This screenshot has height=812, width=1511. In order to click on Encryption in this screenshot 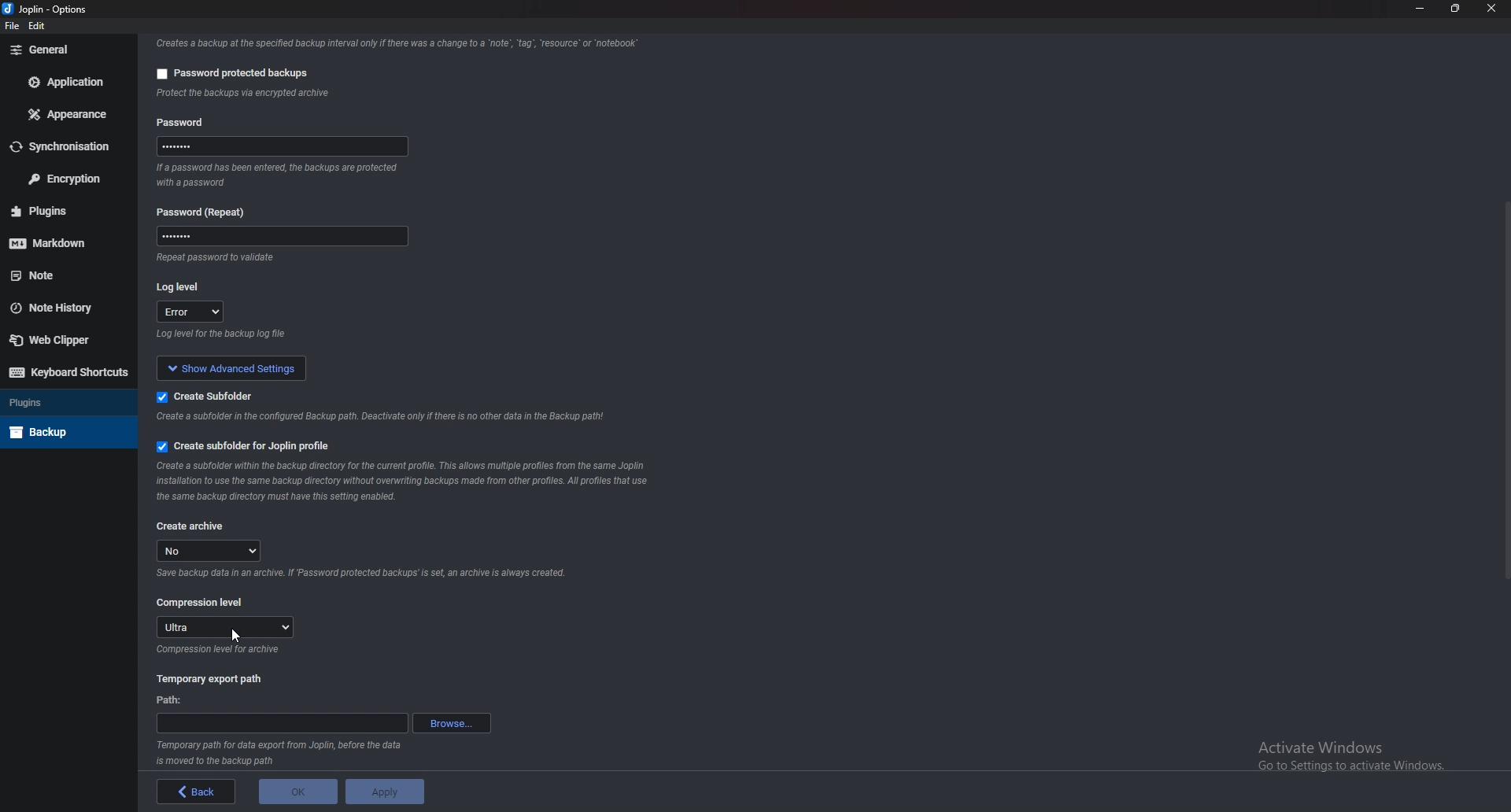, I will do `click(65, 178)`.